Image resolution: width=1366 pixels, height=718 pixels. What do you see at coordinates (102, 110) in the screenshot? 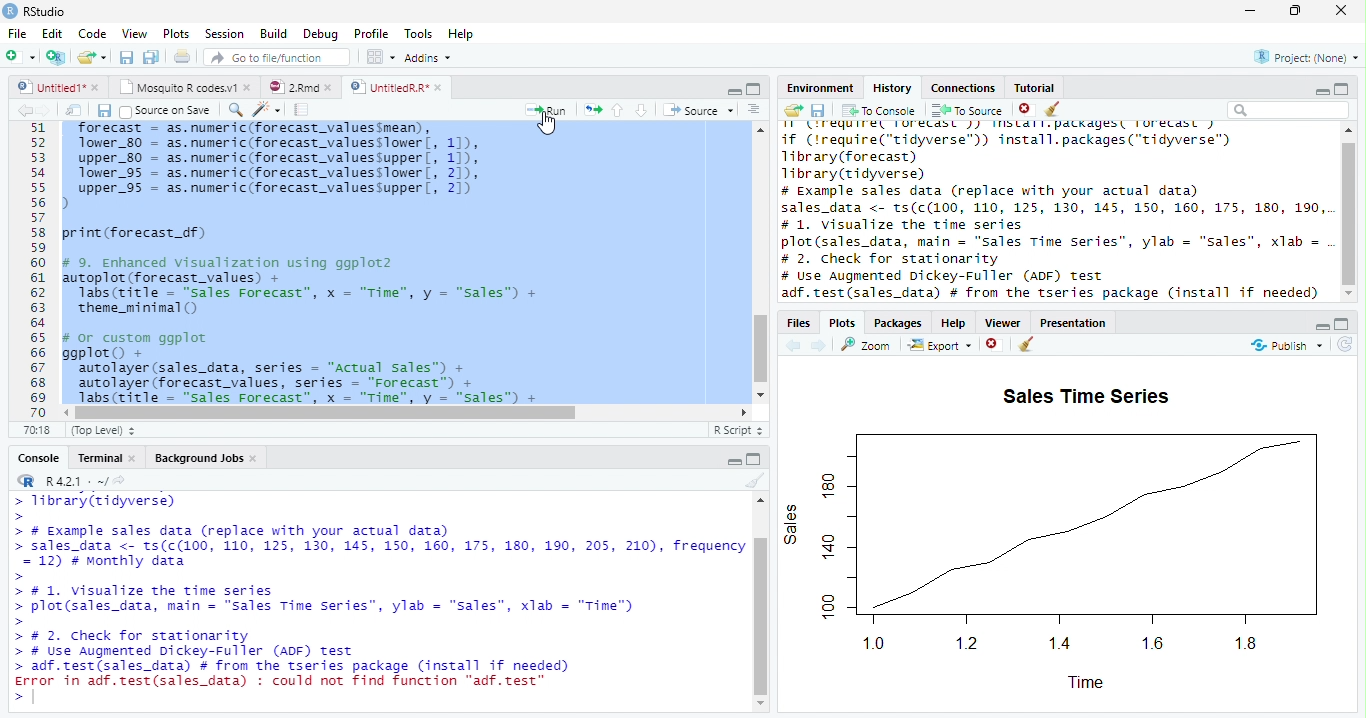
I see `Save` at bounding box center [102, 110].